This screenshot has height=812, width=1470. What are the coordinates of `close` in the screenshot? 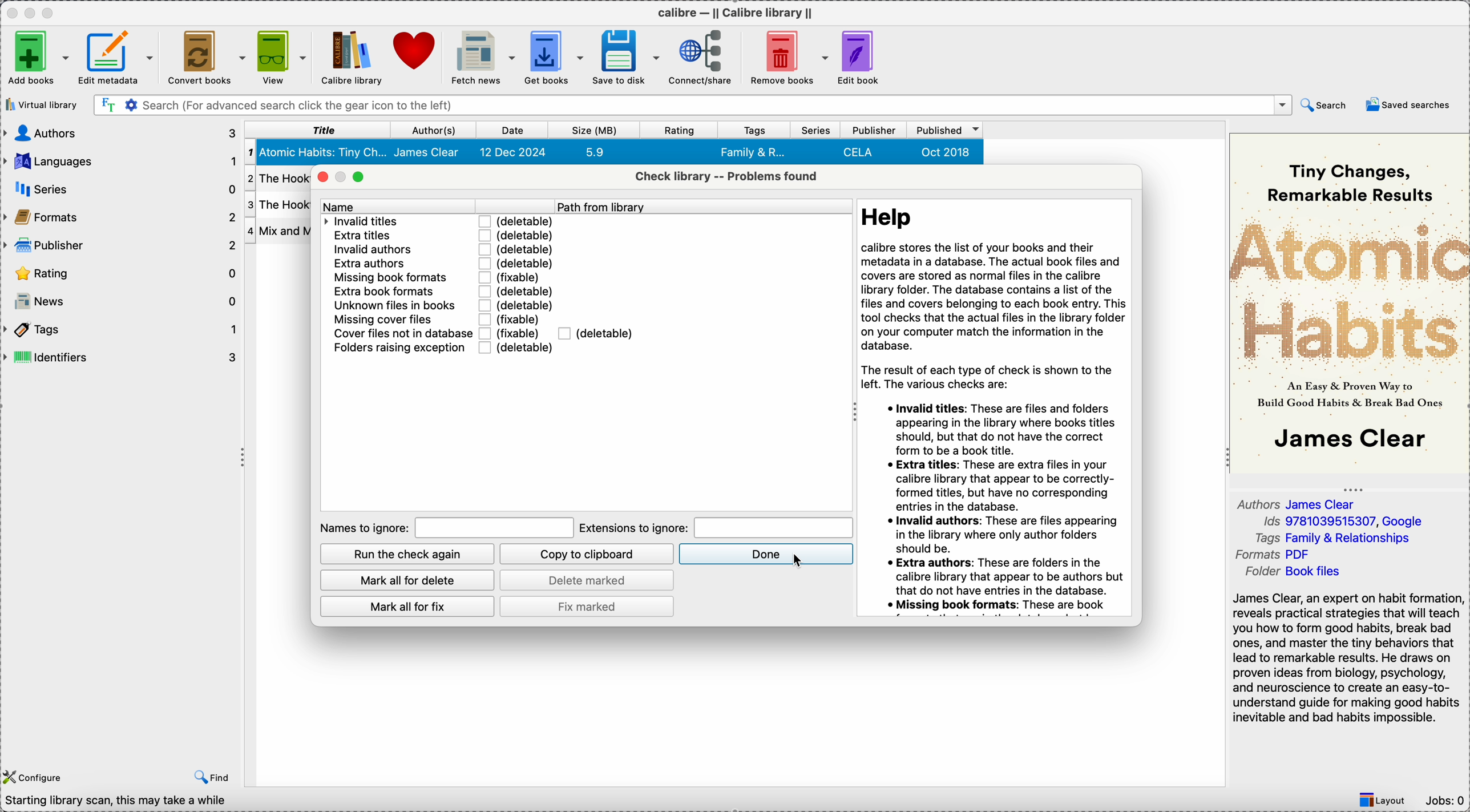 It's located at (320, 177).